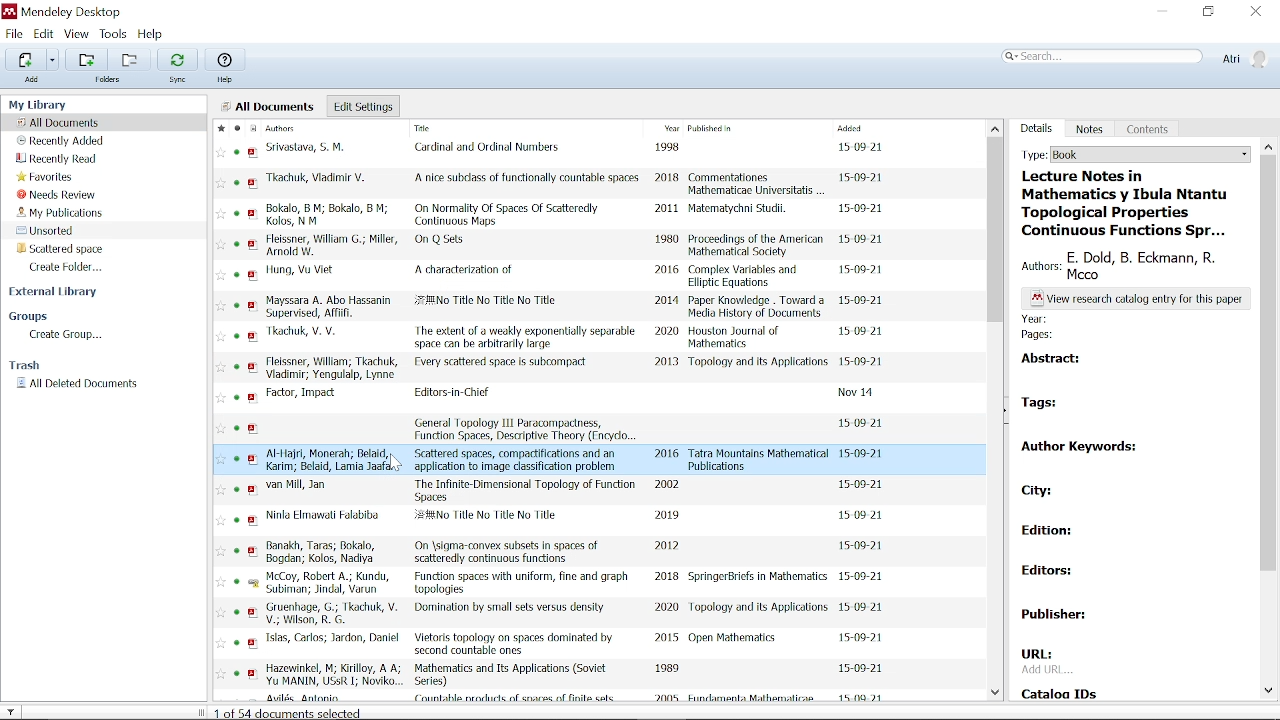 The image size is (1280, 720). I want to click on authors, so click(297, 486).